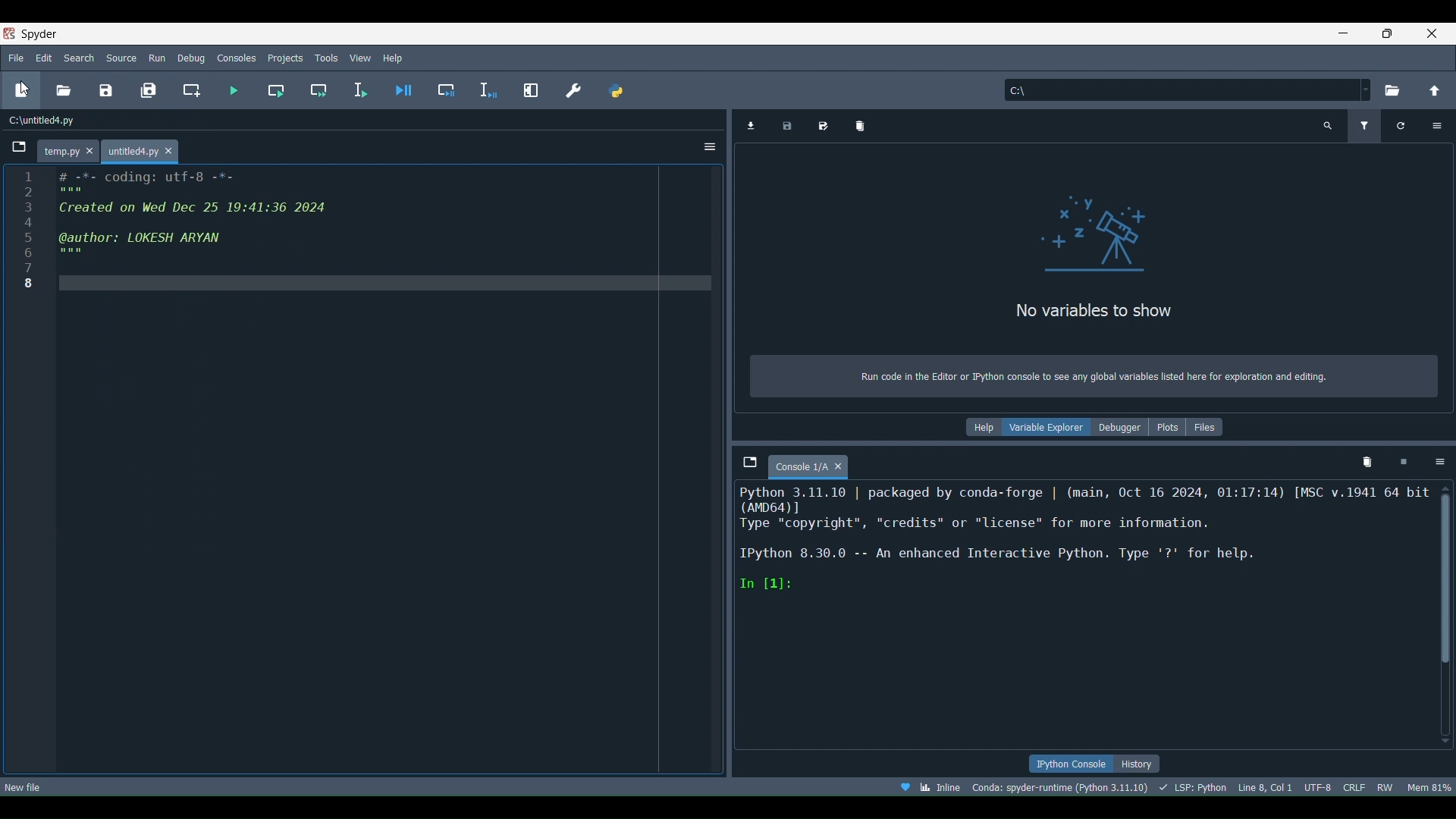 The image size is (1456, 819). What do you see at coordinates (1344, 33) in the screenshot?
I see `minimize` at bounding box center [1344, 33].